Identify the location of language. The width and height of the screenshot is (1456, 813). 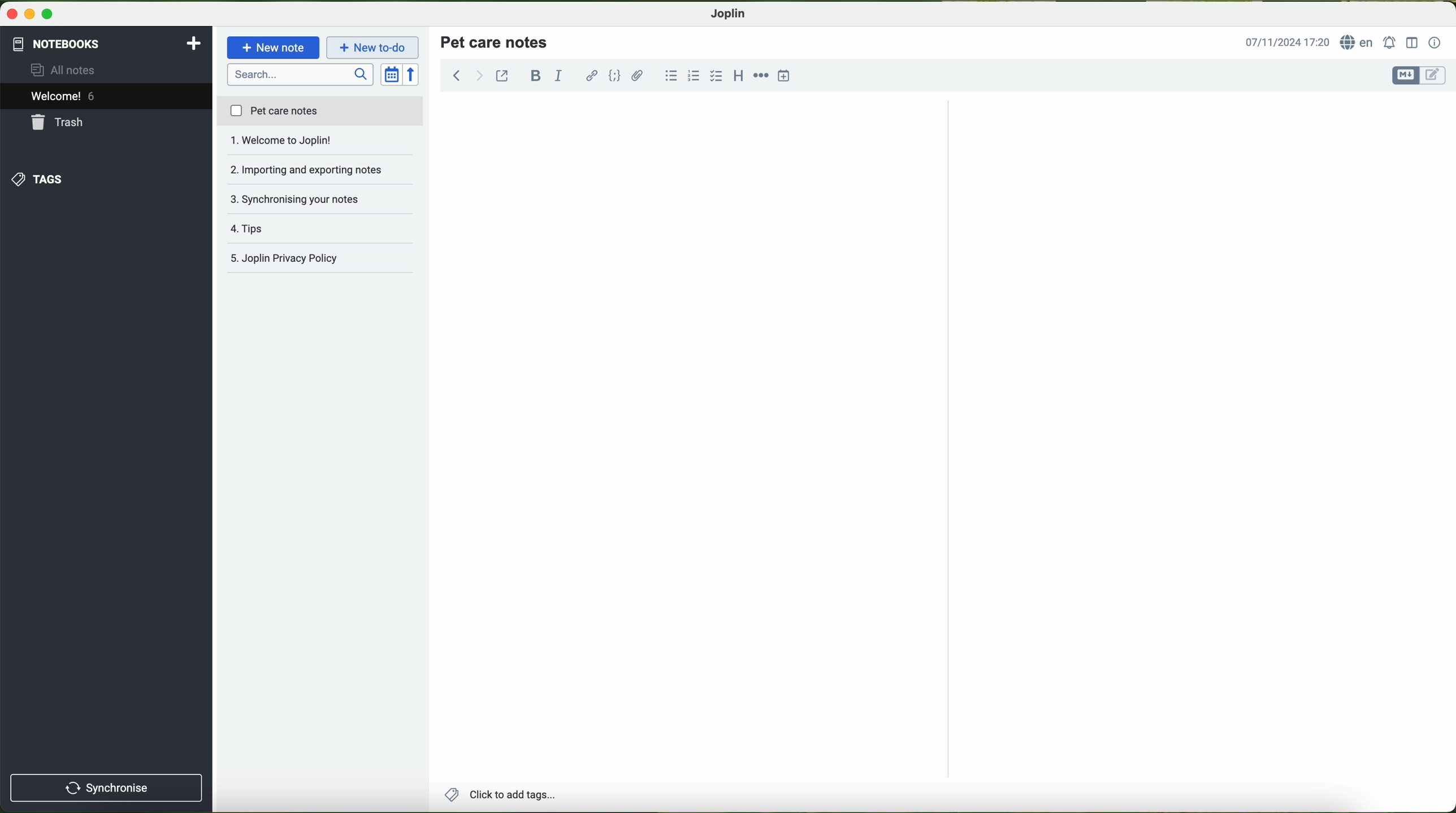
(1359, 43).